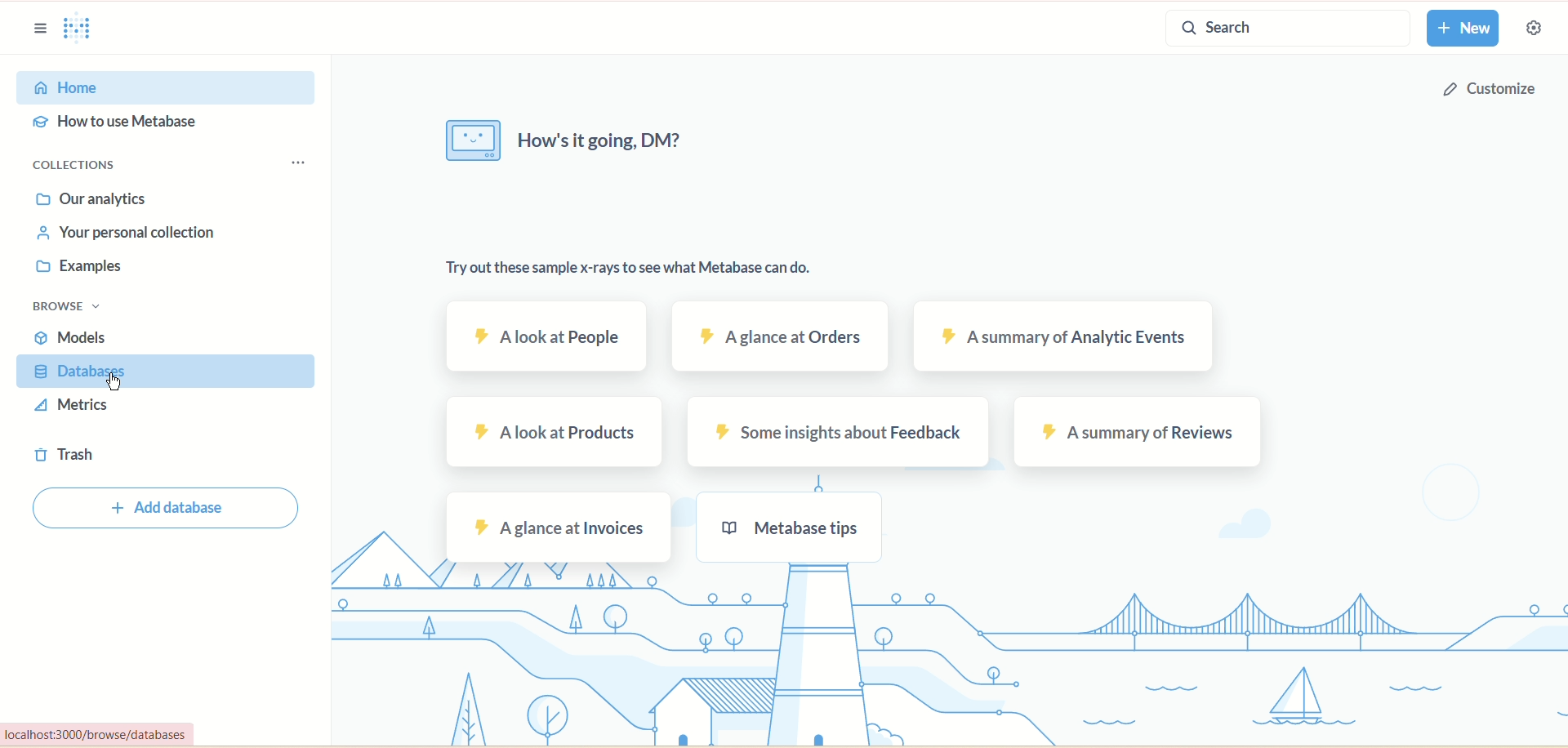 The width and height of the screenshot is (1568, 748). I want to click on examples, so click(73, 268).